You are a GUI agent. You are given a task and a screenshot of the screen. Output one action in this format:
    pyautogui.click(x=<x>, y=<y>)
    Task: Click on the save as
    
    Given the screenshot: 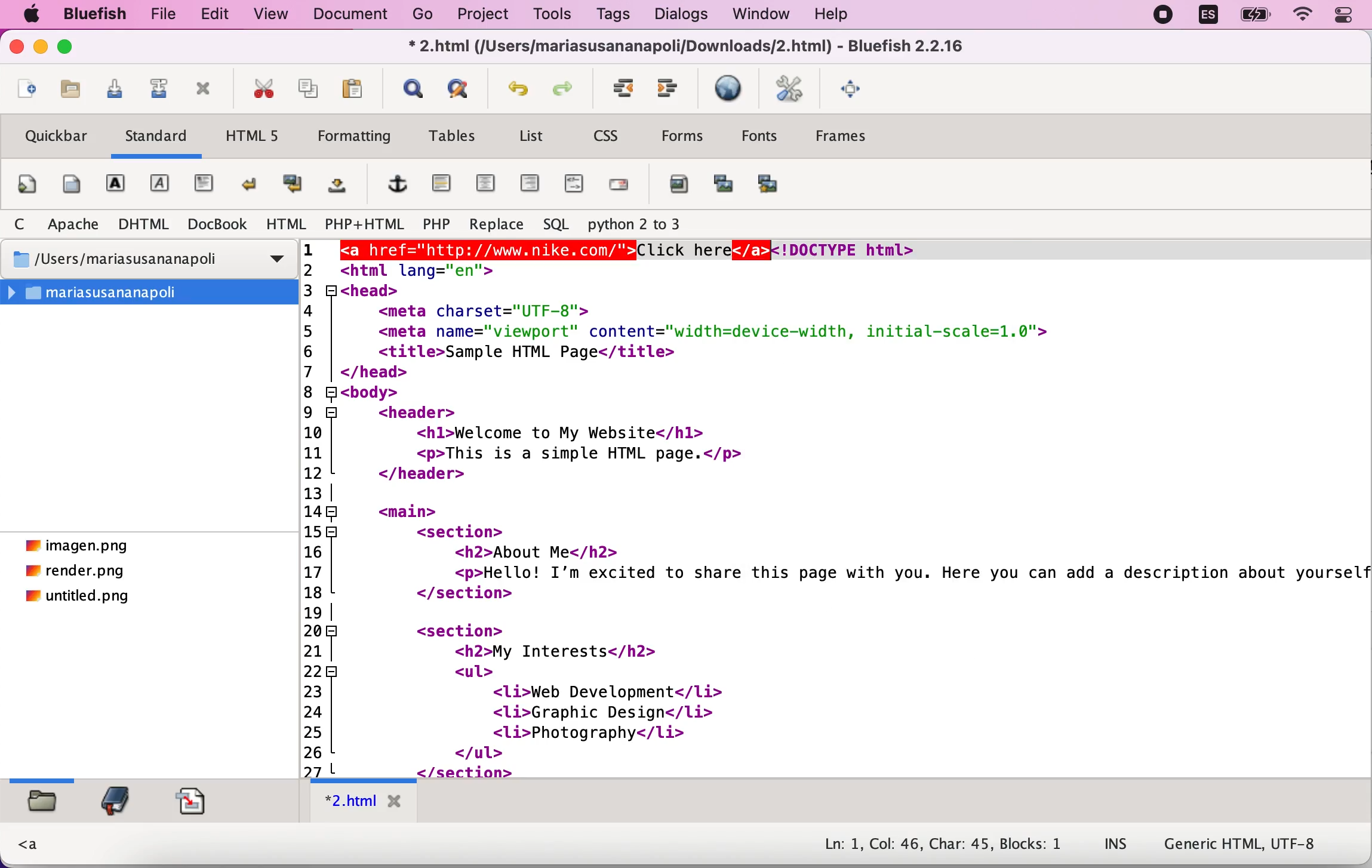 What is the action you would take?
    pyautogui.click(x=160, y=87)
    